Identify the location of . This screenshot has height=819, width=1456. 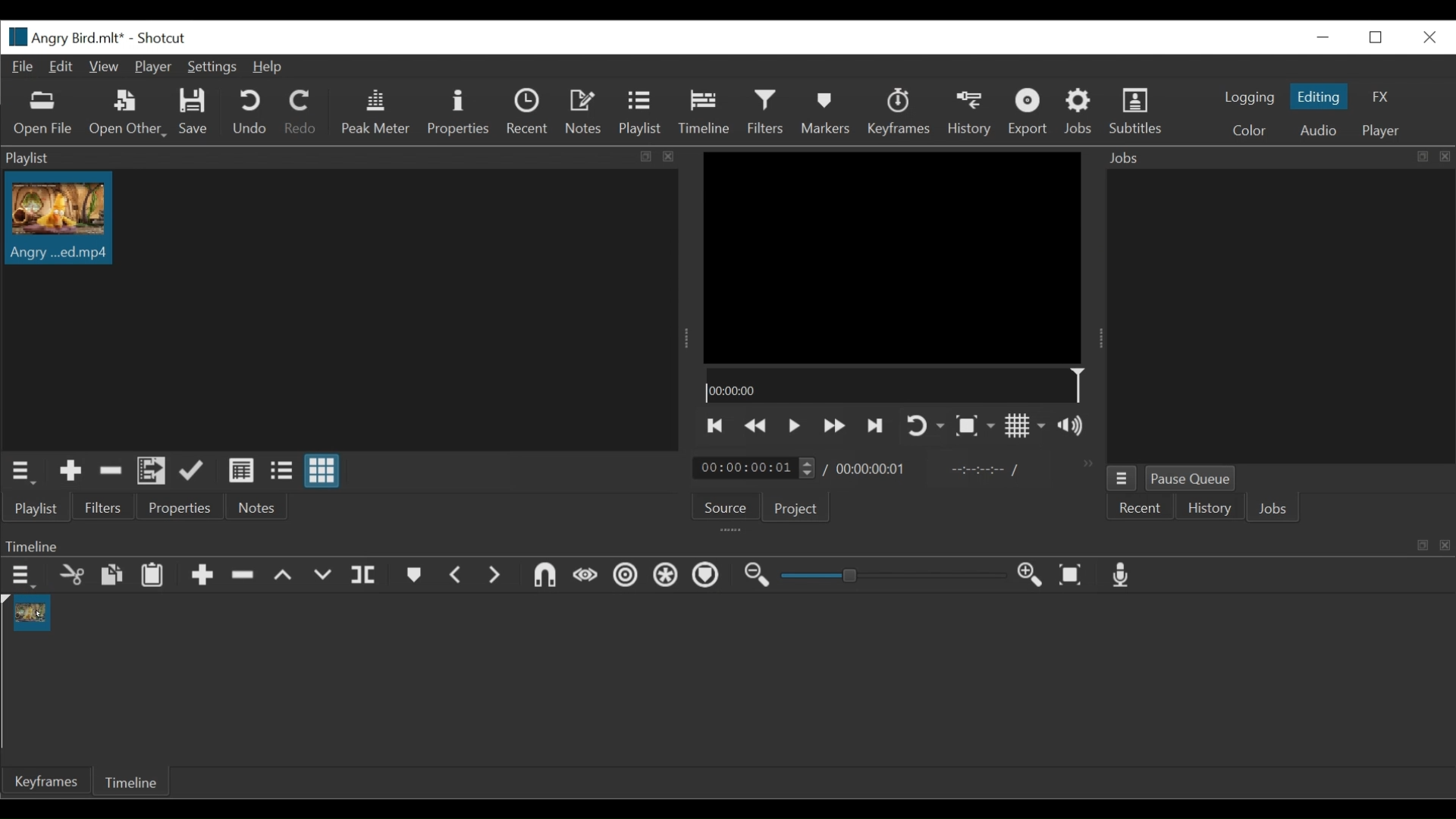
(102, 68).